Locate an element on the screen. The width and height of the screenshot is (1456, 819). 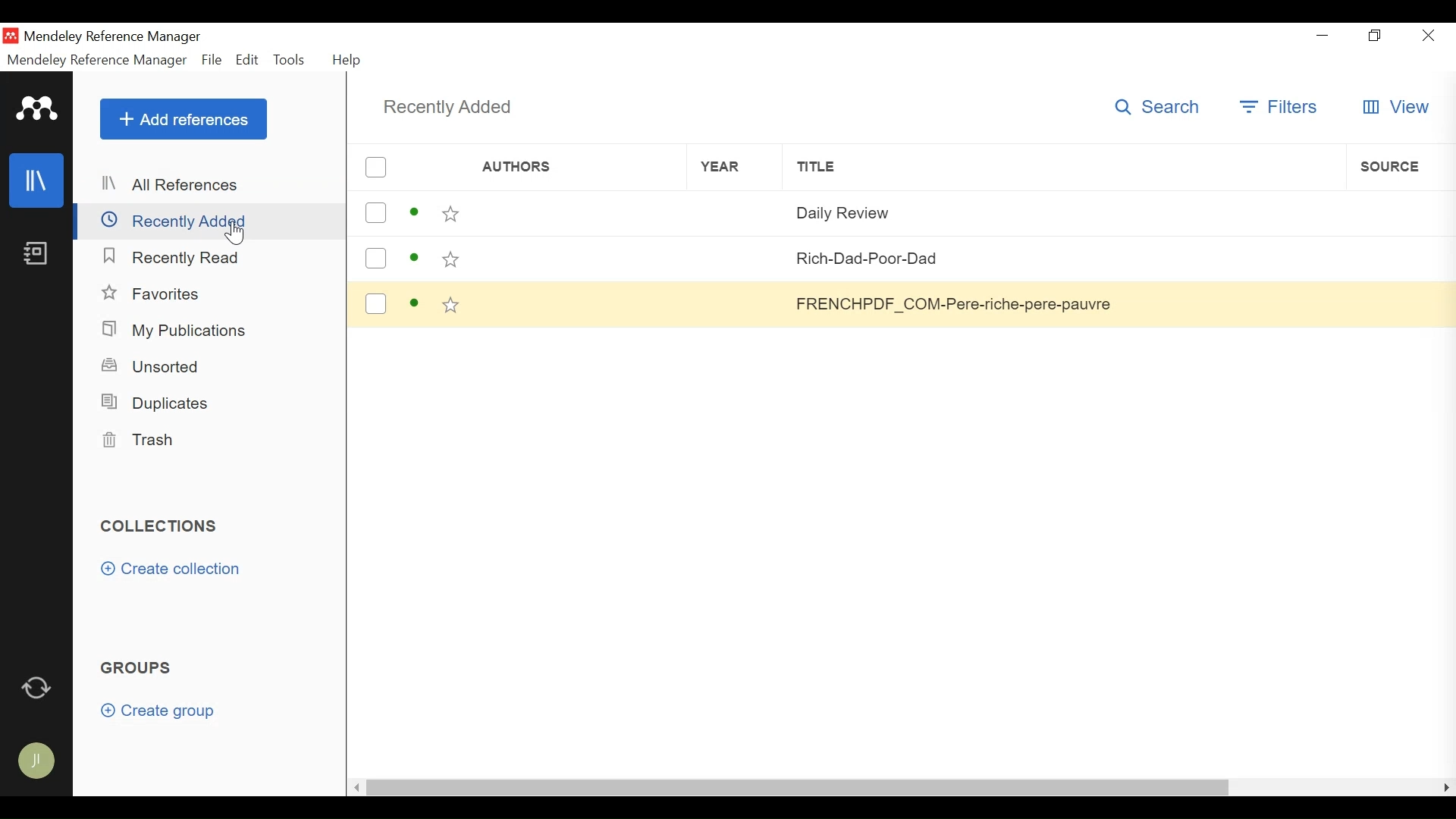
Mendeley Reference Manager is located at coordinates (119, 37).